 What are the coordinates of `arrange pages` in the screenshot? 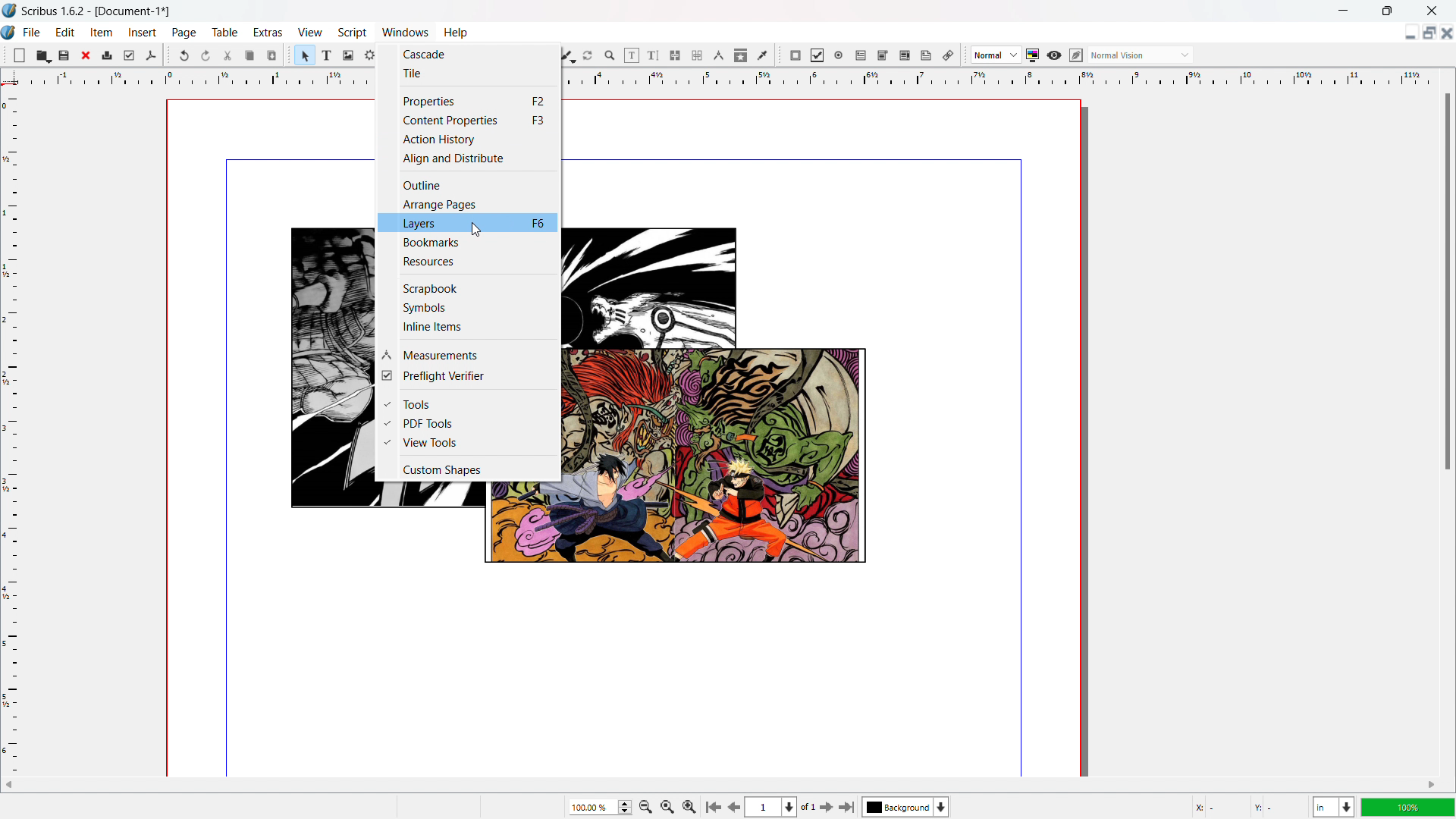 It's located at (469, 205).